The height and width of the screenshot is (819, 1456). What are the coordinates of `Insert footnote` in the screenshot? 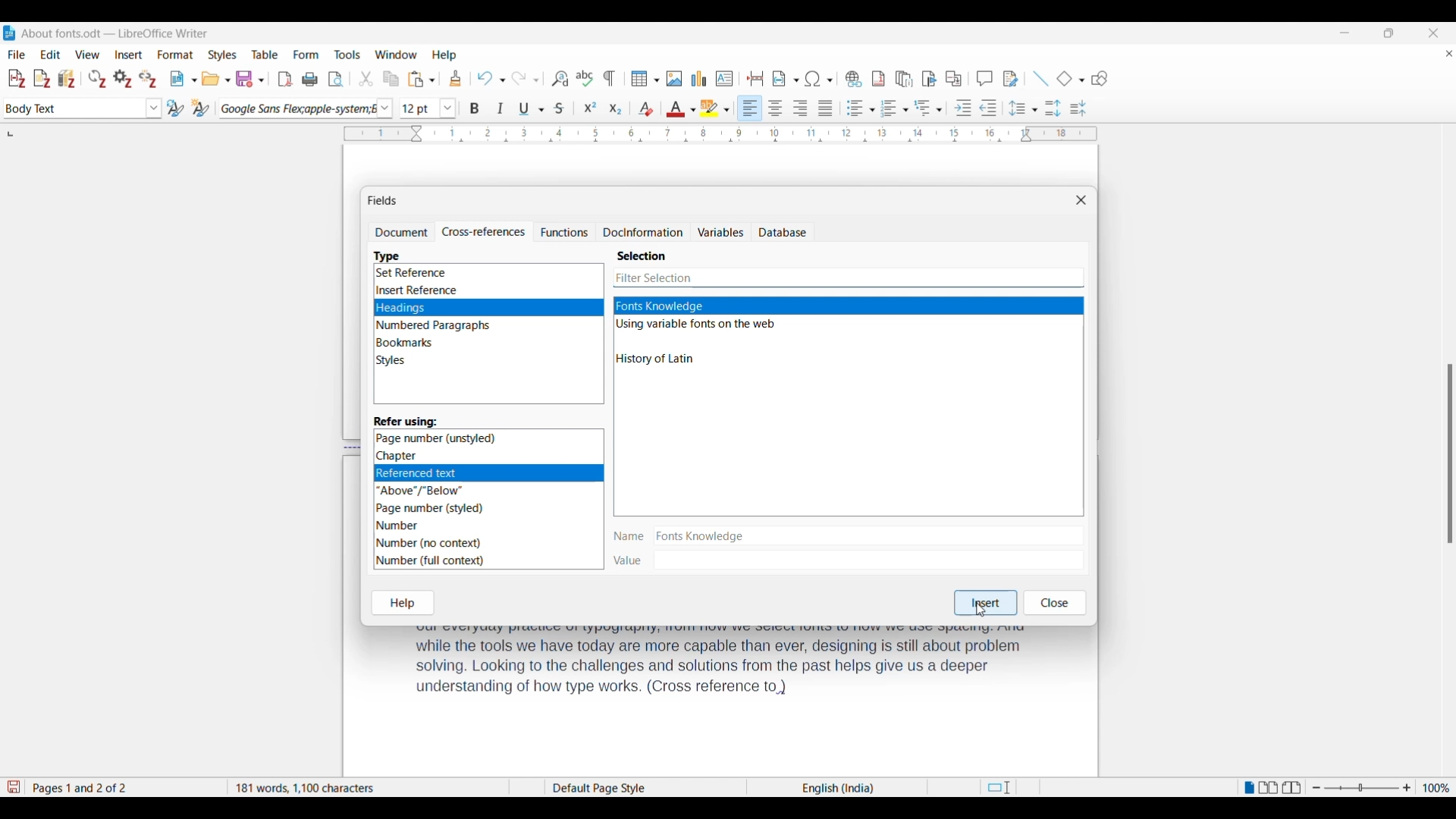 It's located at (877, 79).